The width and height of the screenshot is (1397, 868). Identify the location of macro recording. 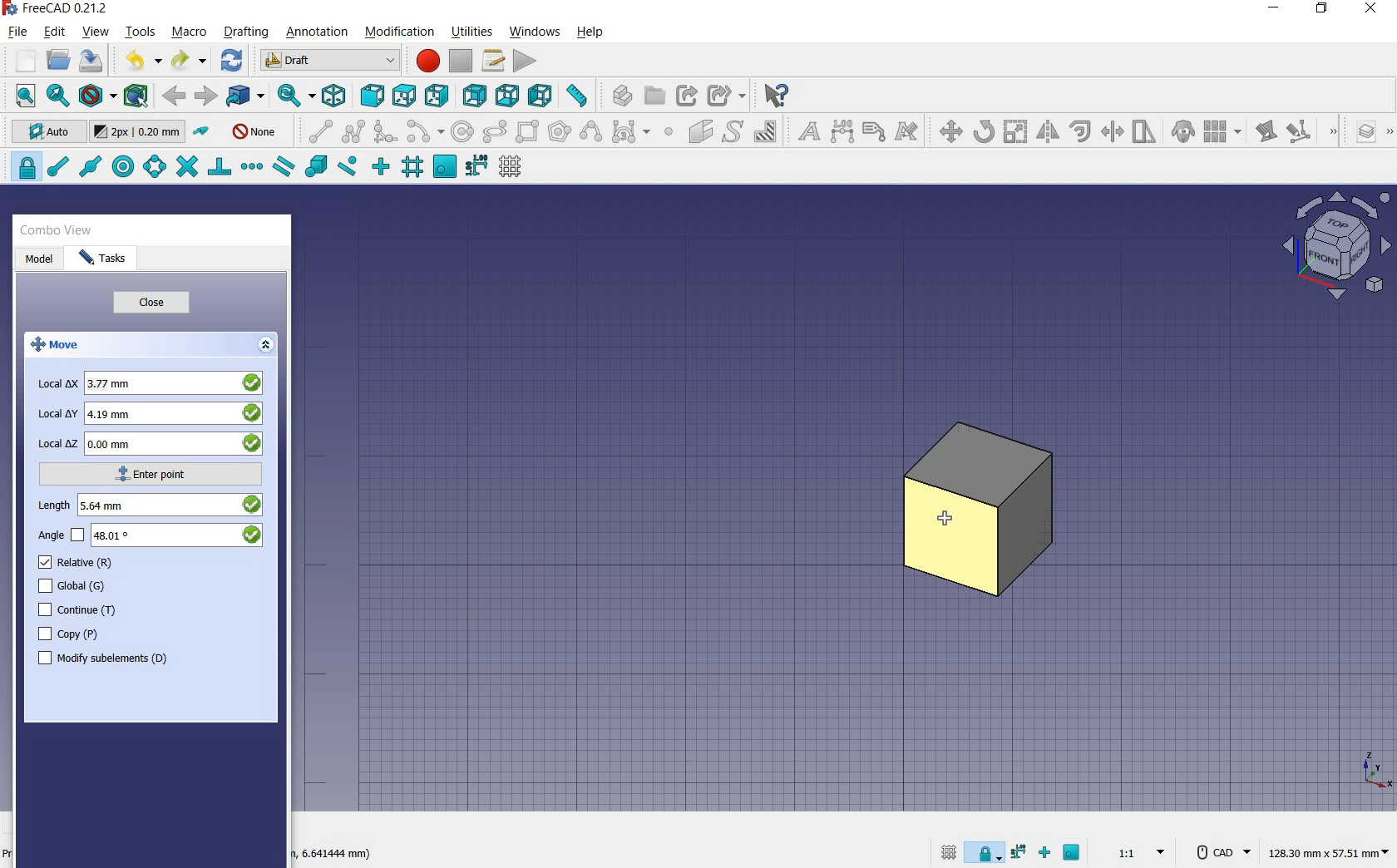
(427, 62).